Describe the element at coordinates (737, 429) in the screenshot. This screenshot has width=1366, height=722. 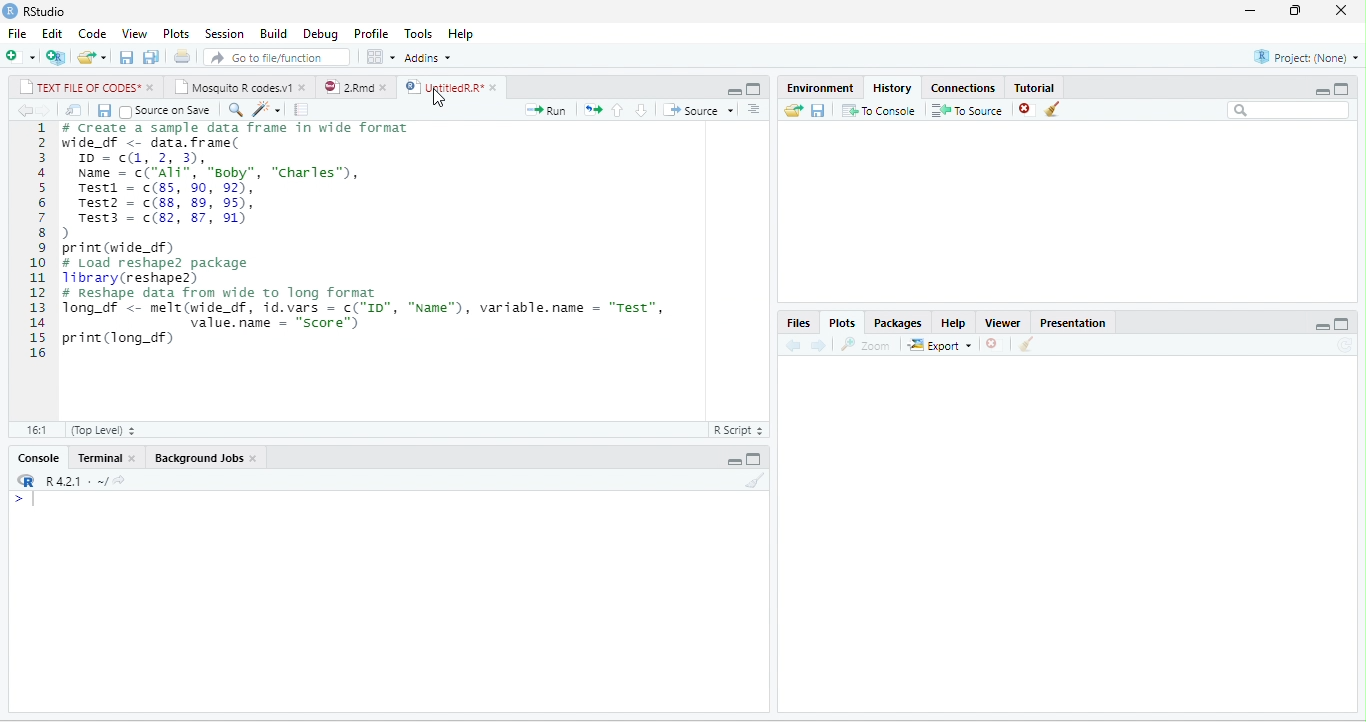
I see `Text file` at that location.